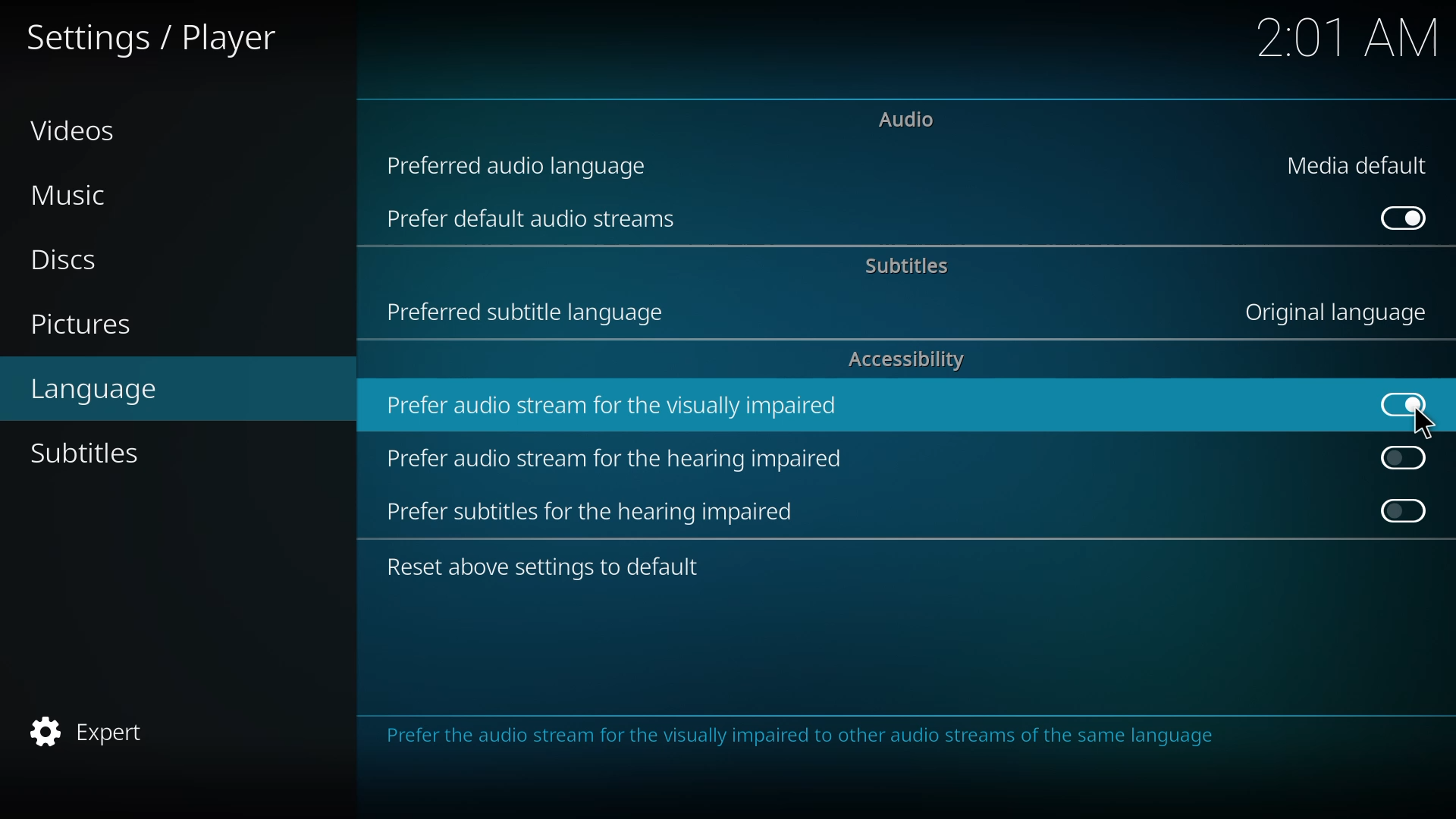 The width and height of the screenshot is (1456, 819). I want to click on 2:01 AM, so click(1338, 37).